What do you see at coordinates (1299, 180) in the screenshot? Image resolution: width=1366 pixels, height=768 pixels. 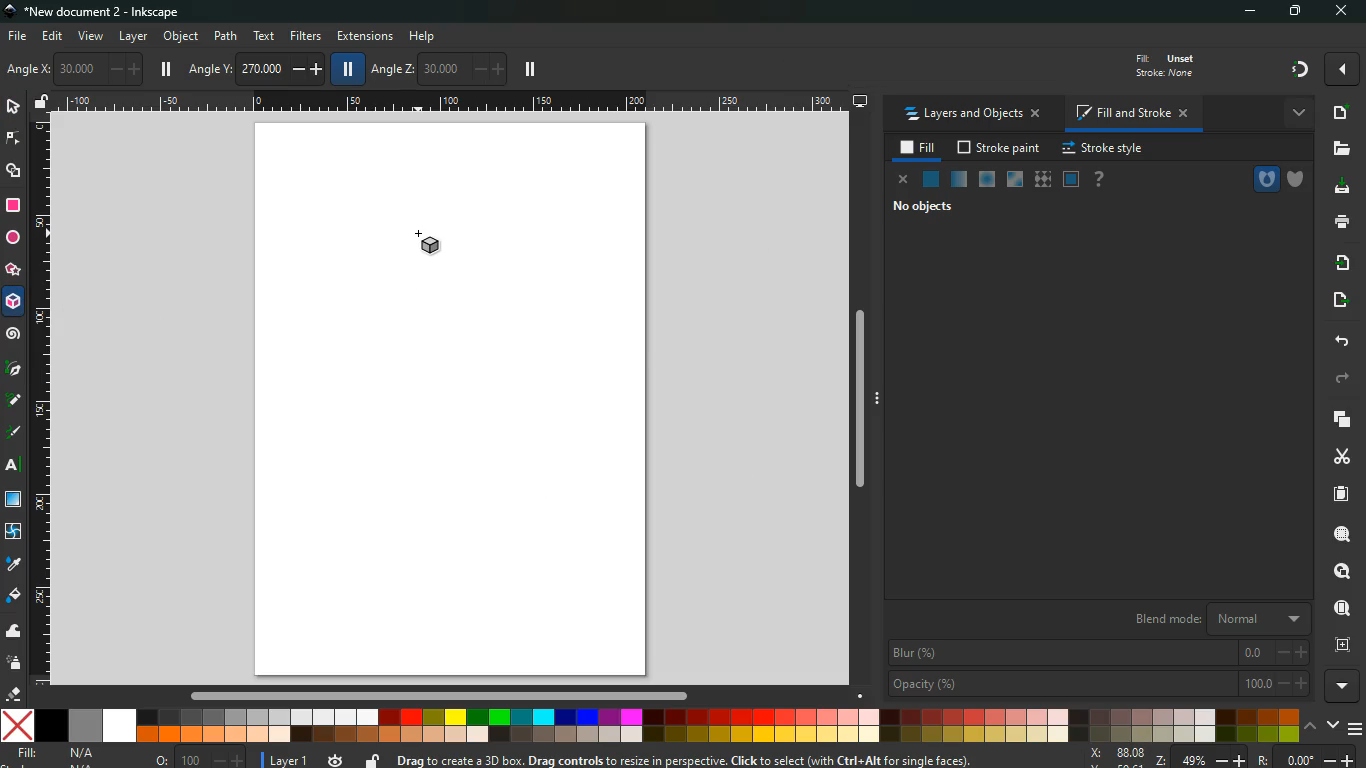 I see `shield` at bounding box center [1299, 180].